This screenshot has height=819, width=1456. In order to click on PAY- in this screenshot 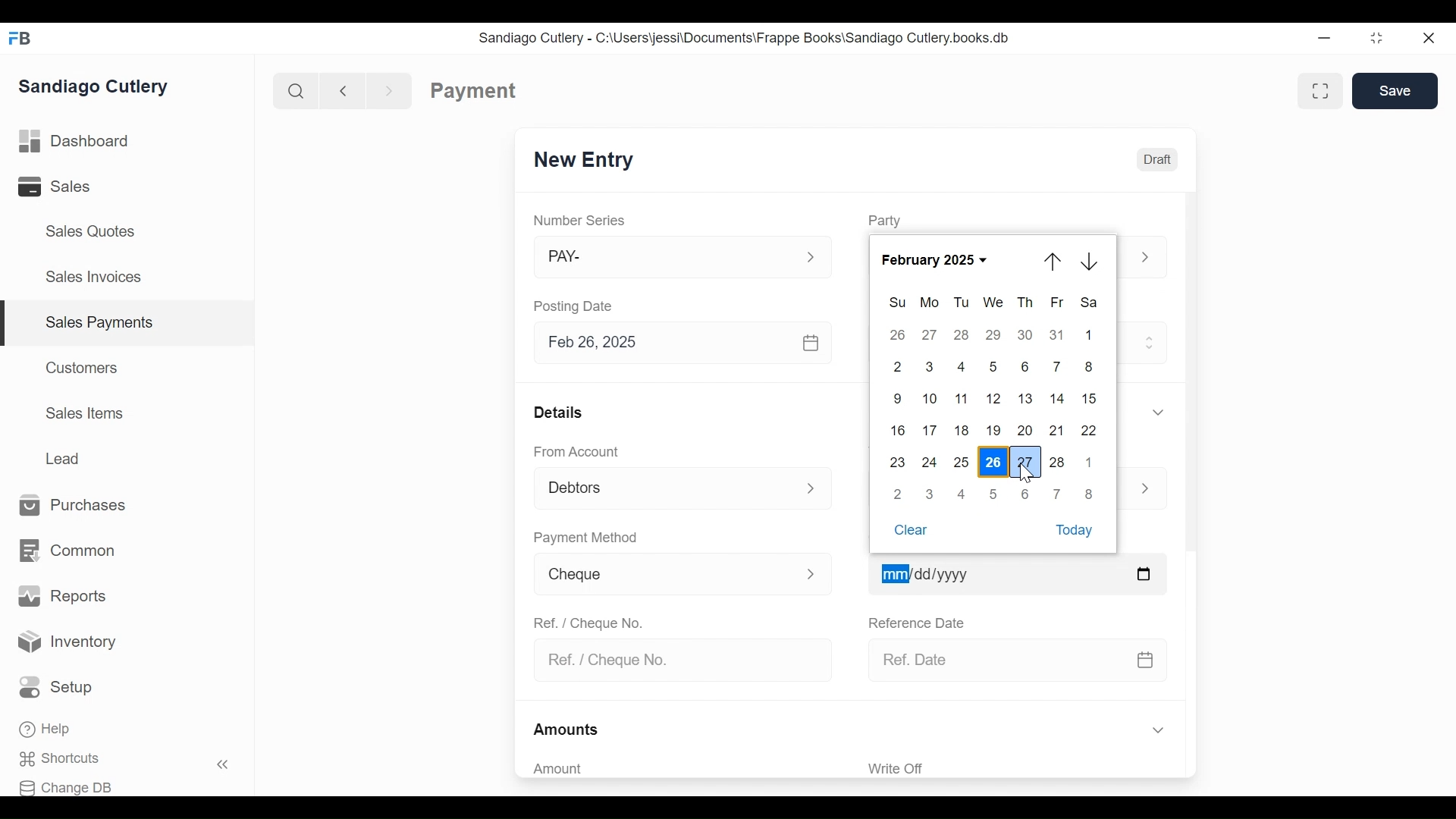, I will do `click(661, 259)`.